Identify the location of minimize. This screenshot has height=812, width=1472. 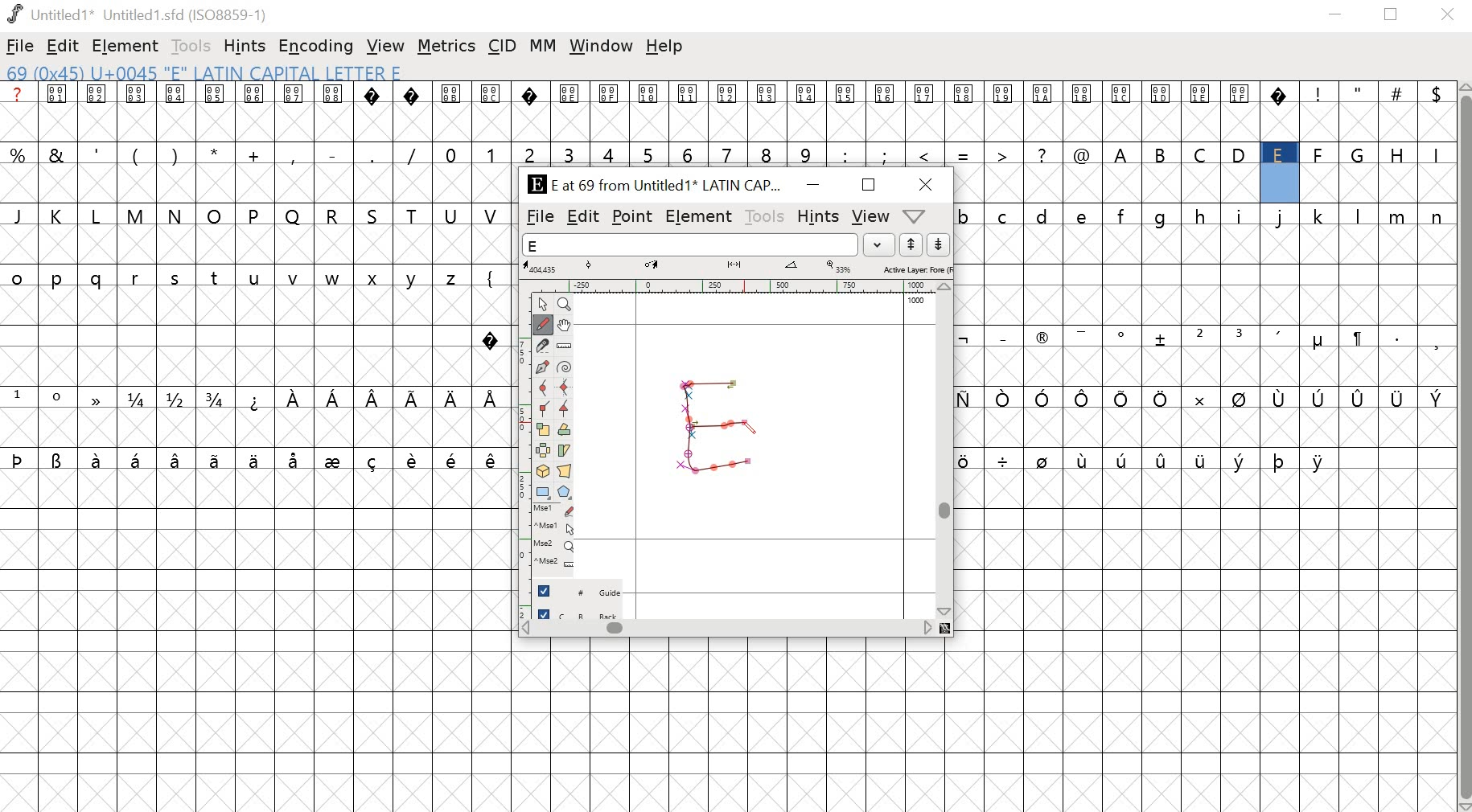
(812, 187).